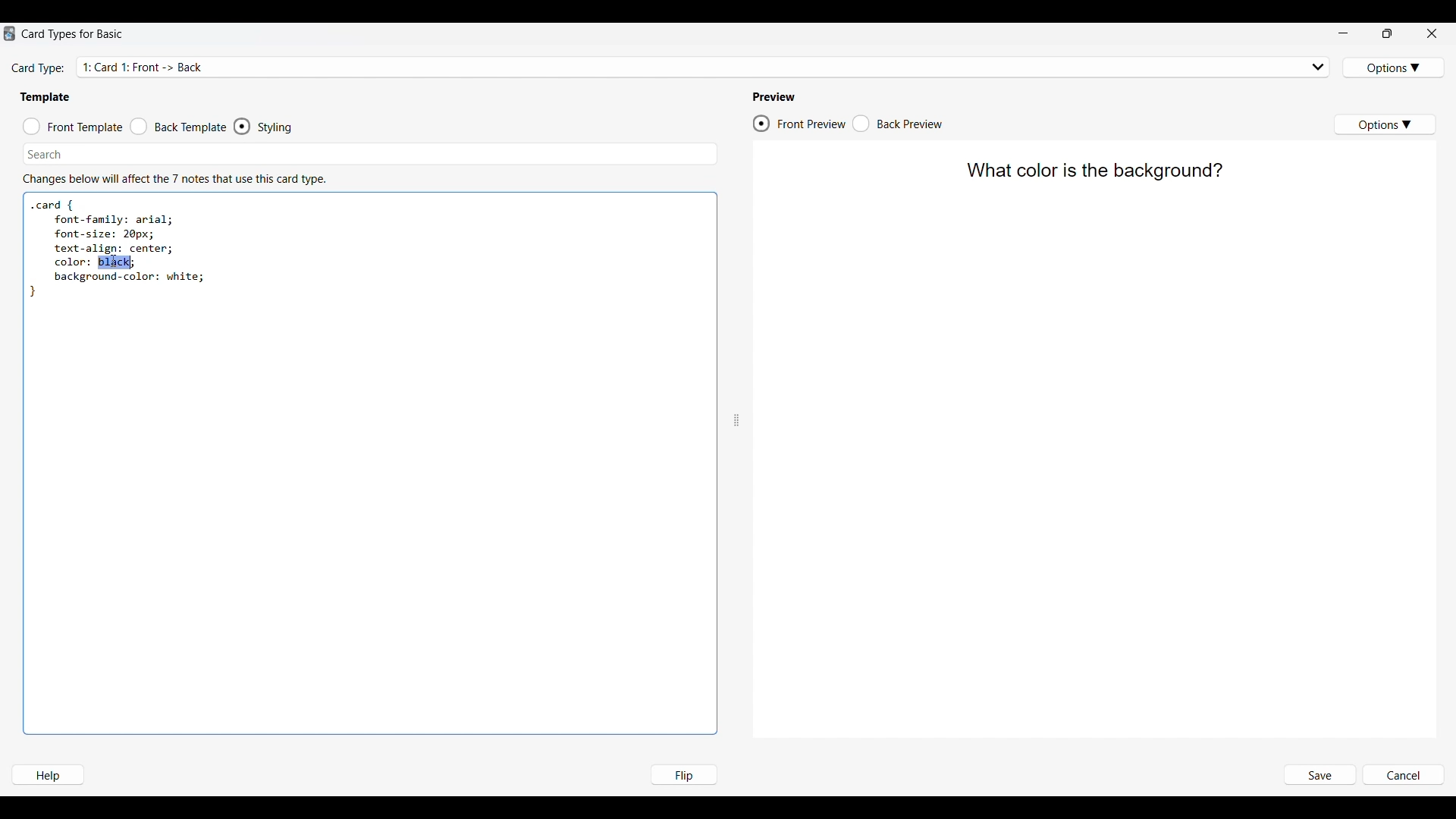 The width and height of the screenshot is (1456, 819). Describe the element at coordinates (39, 69) in the screenshot. I see `Indicates card type setting` at that location.